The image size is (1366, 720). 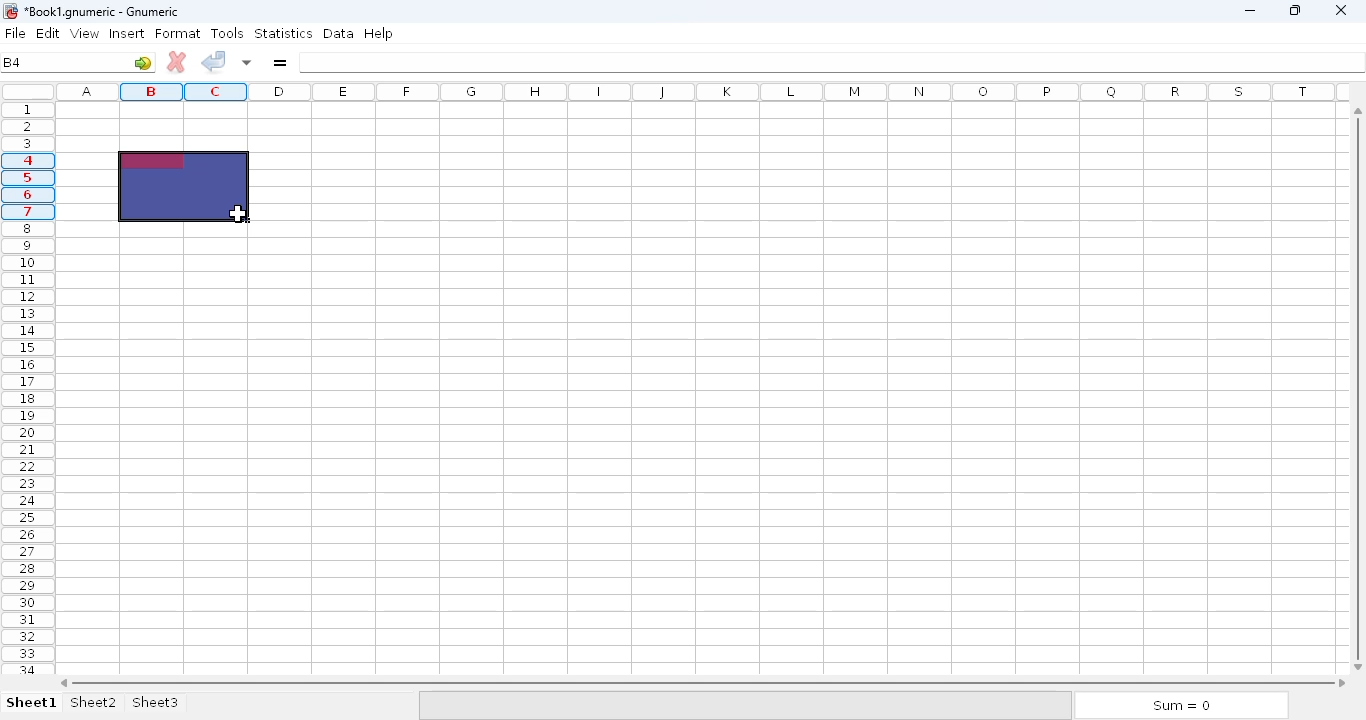 What do you see at coordinates (1250, 11) in the screenshot?
I see `minimize` at bounding box center [1250, 11].